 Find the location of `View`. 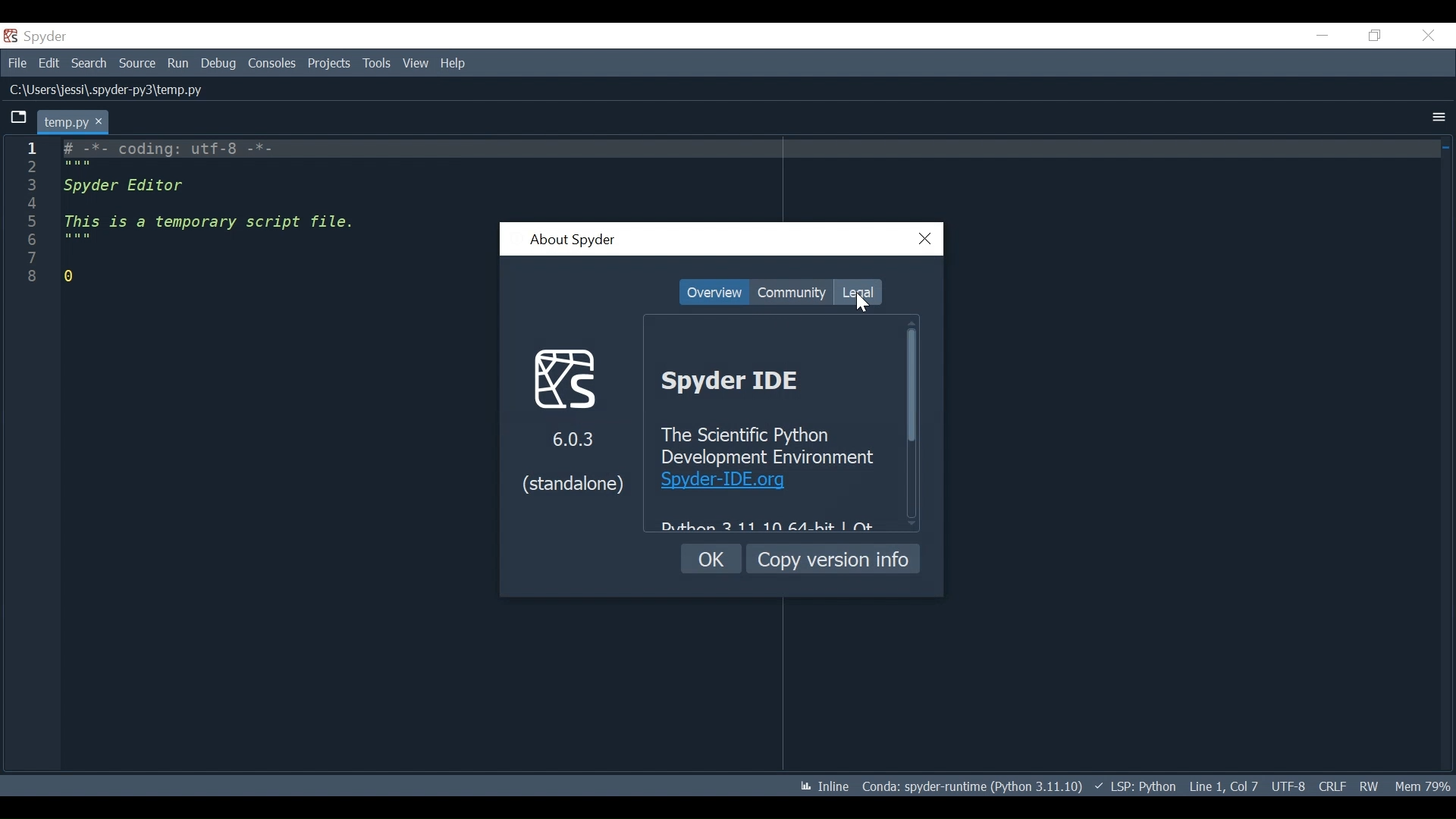

View is located at coordinates (416, 63).